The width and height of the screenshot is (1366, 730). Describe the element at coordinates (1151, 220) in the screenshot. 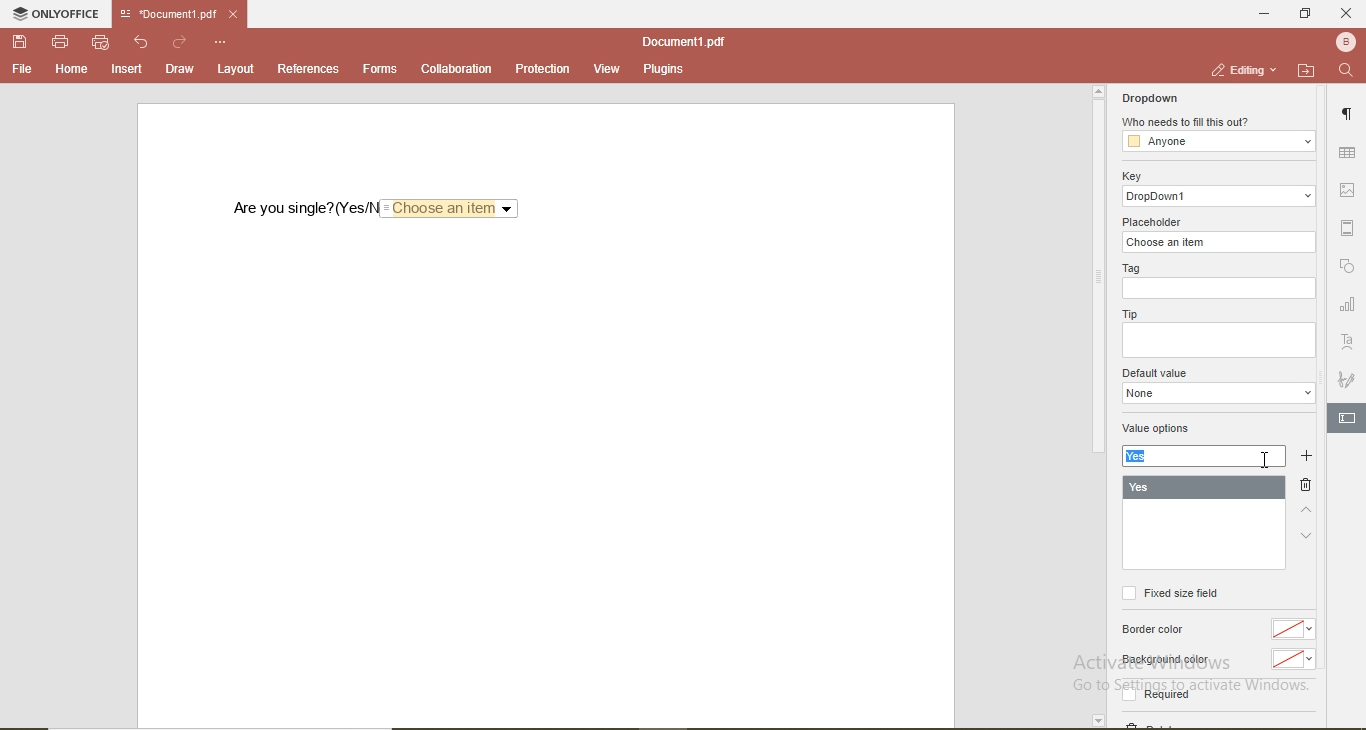

I see `placeholder` at that location.